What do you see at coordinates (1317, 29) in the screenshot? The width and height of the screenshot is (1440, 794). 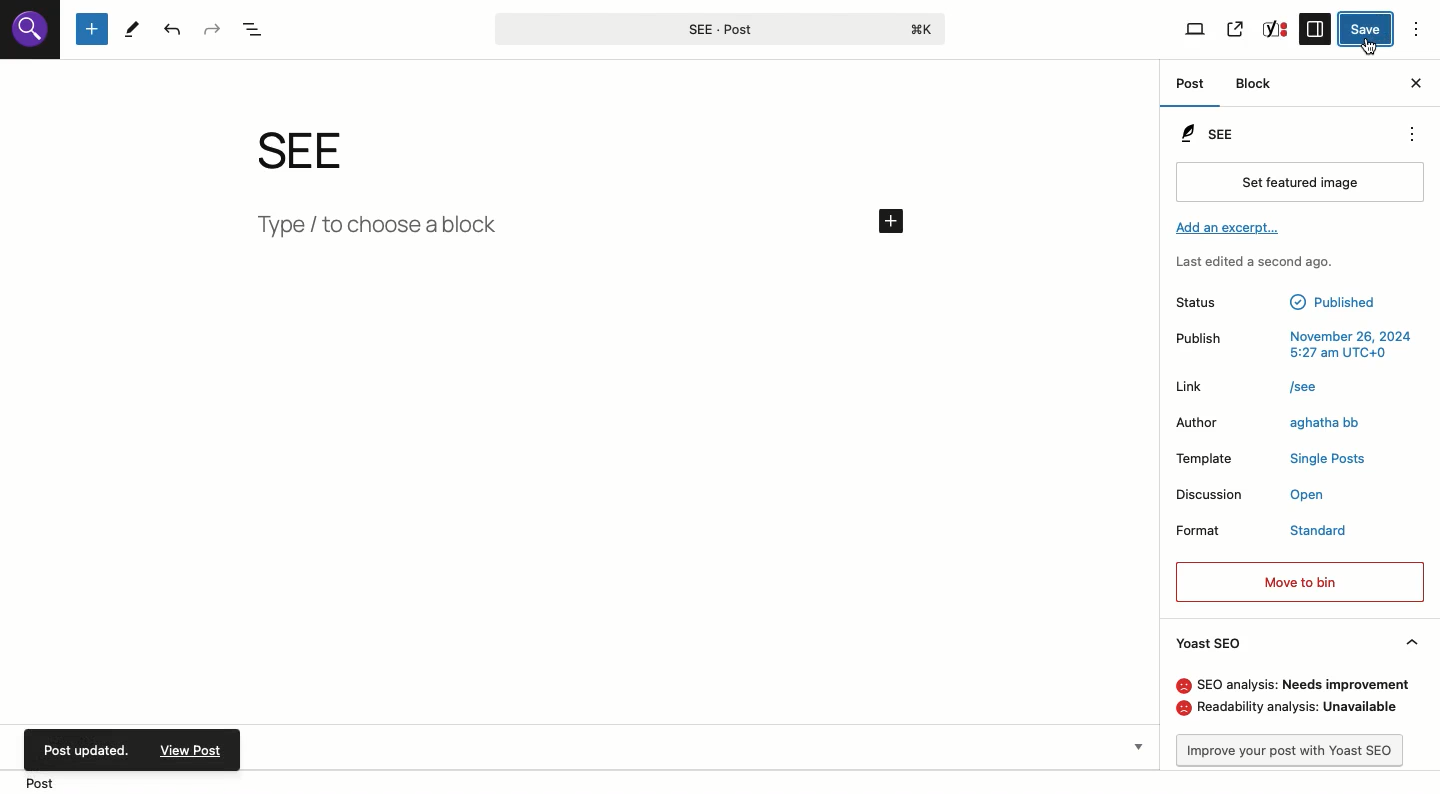 I see `Sidebar` at bounding box center [1317, 29].